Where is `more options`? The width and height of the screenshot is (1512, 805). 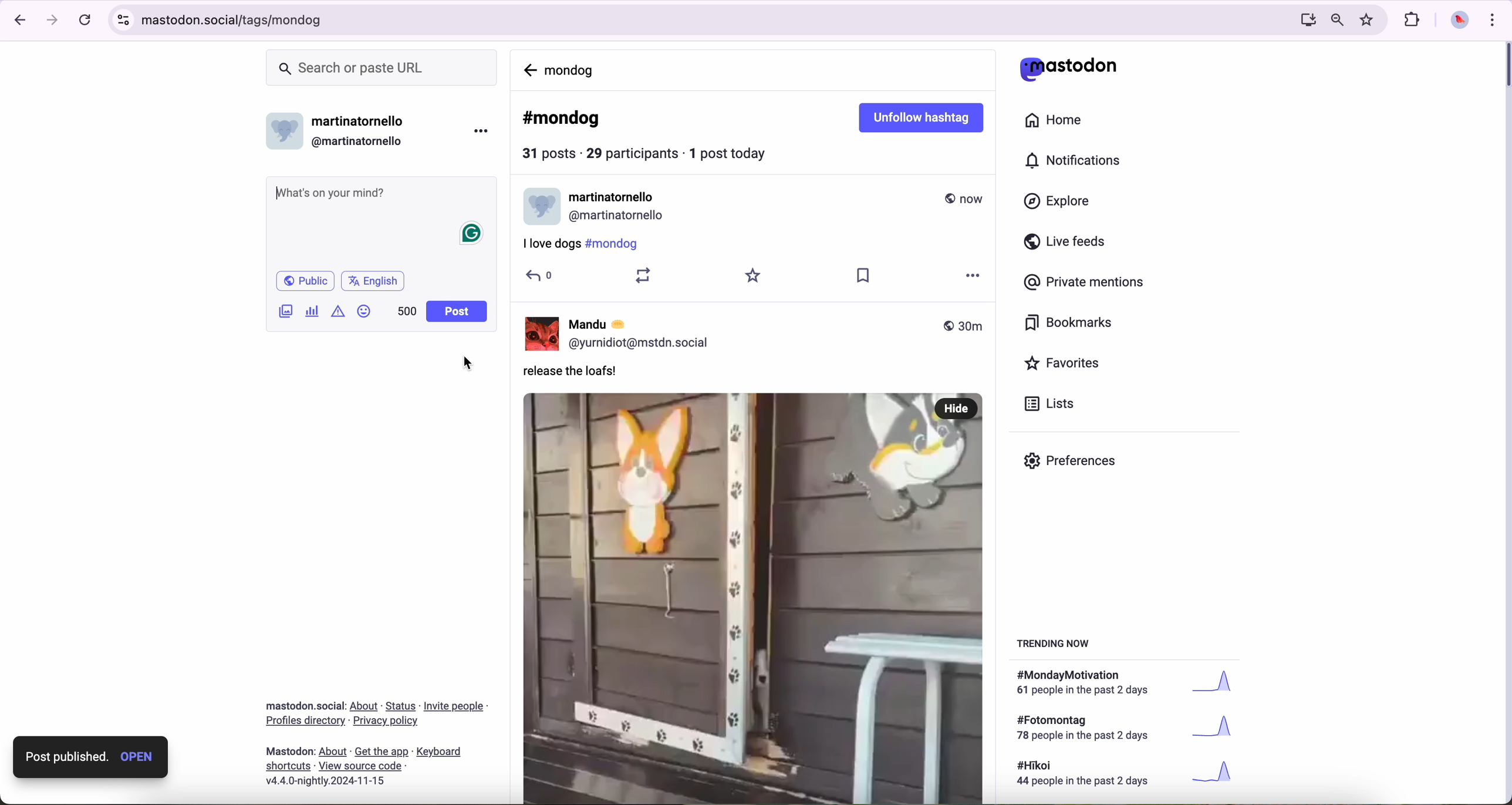 more options is located at coordinates (480, 133).